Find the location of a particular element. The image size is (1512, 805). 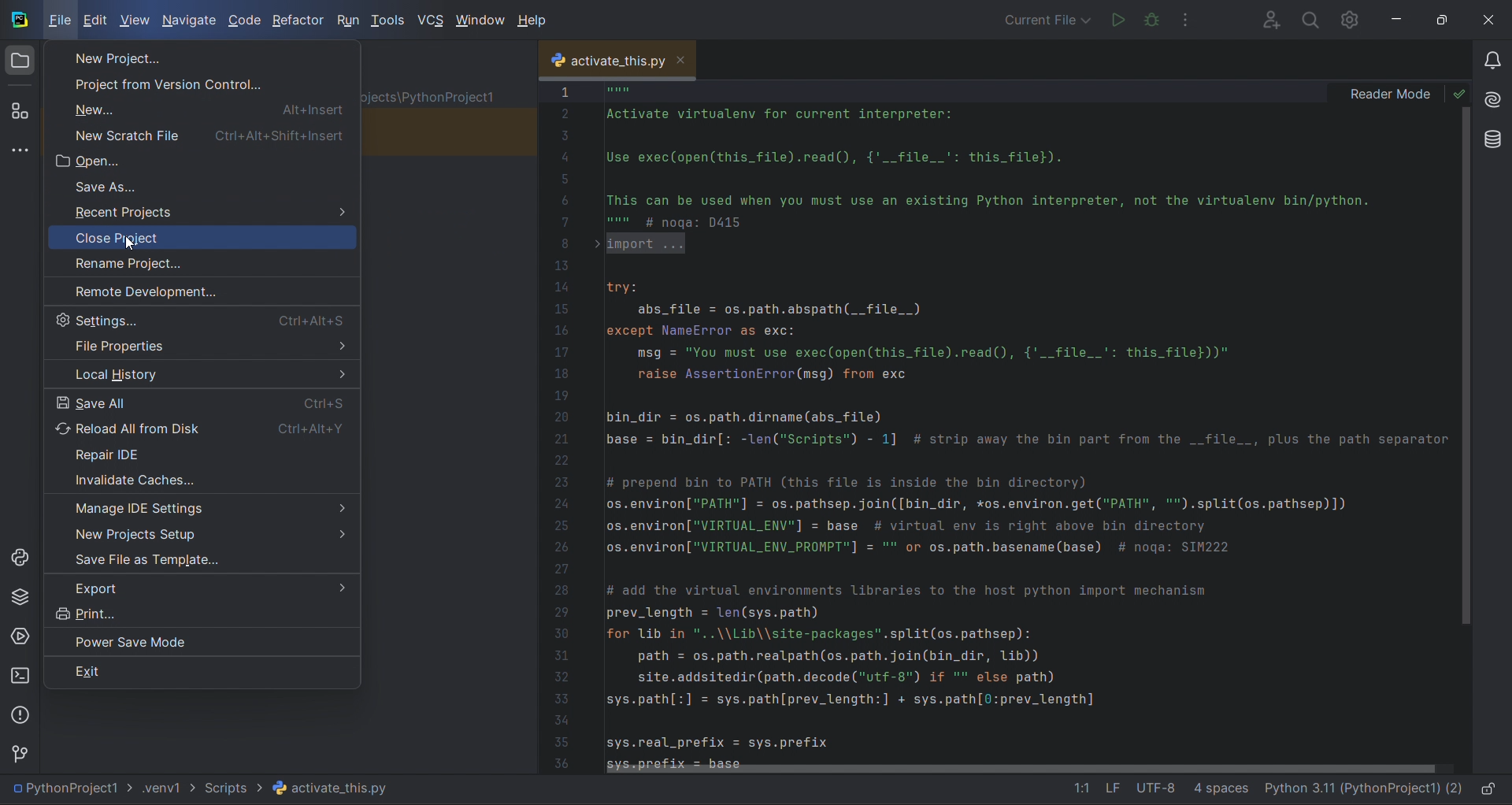

version control is located at coordinates (20, 756).